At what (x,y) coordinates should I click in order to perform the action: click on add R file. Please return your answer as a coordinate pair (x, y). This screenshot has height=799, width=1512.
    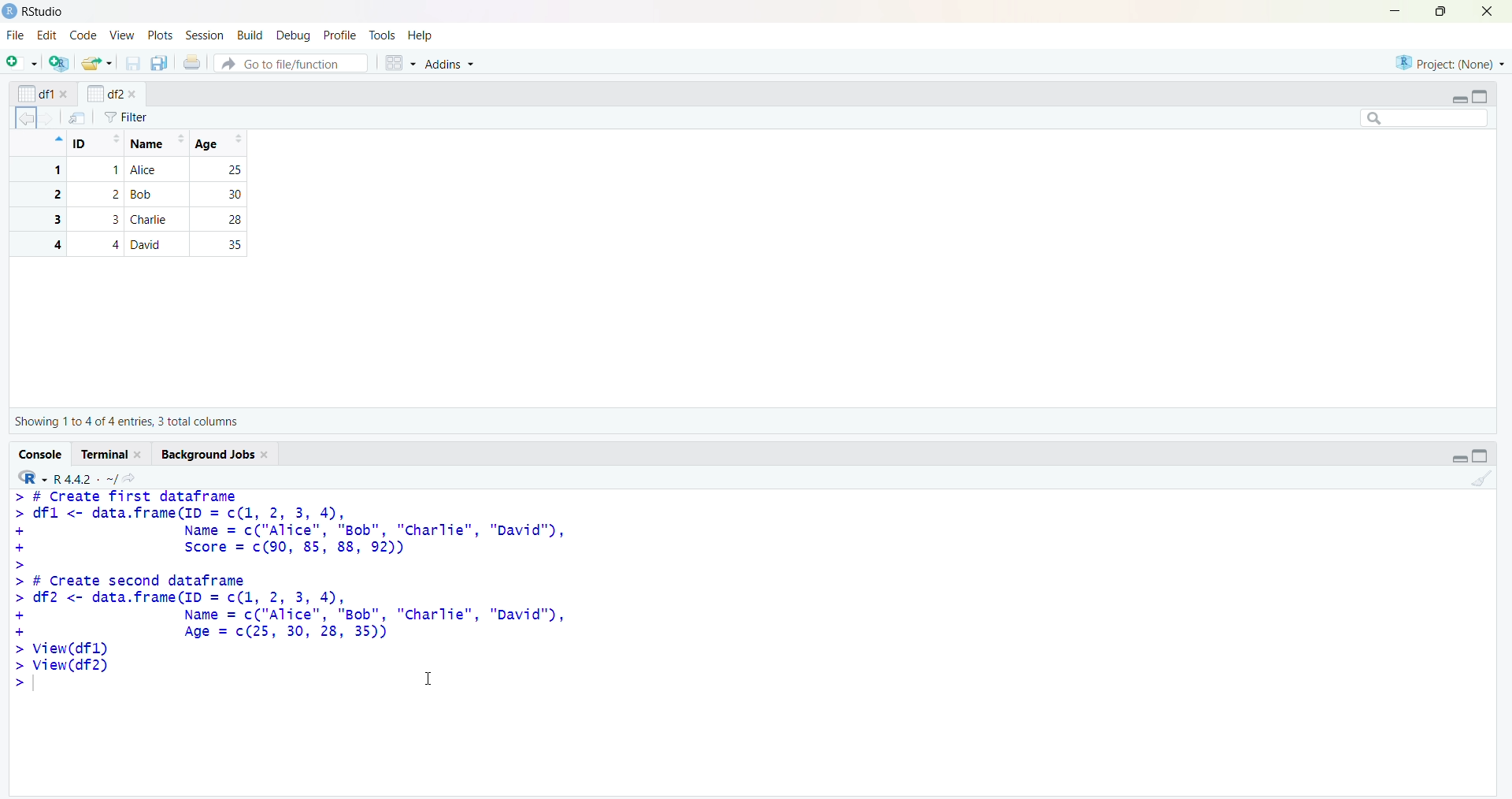
    Looking at the image, I should click on (60, 63).